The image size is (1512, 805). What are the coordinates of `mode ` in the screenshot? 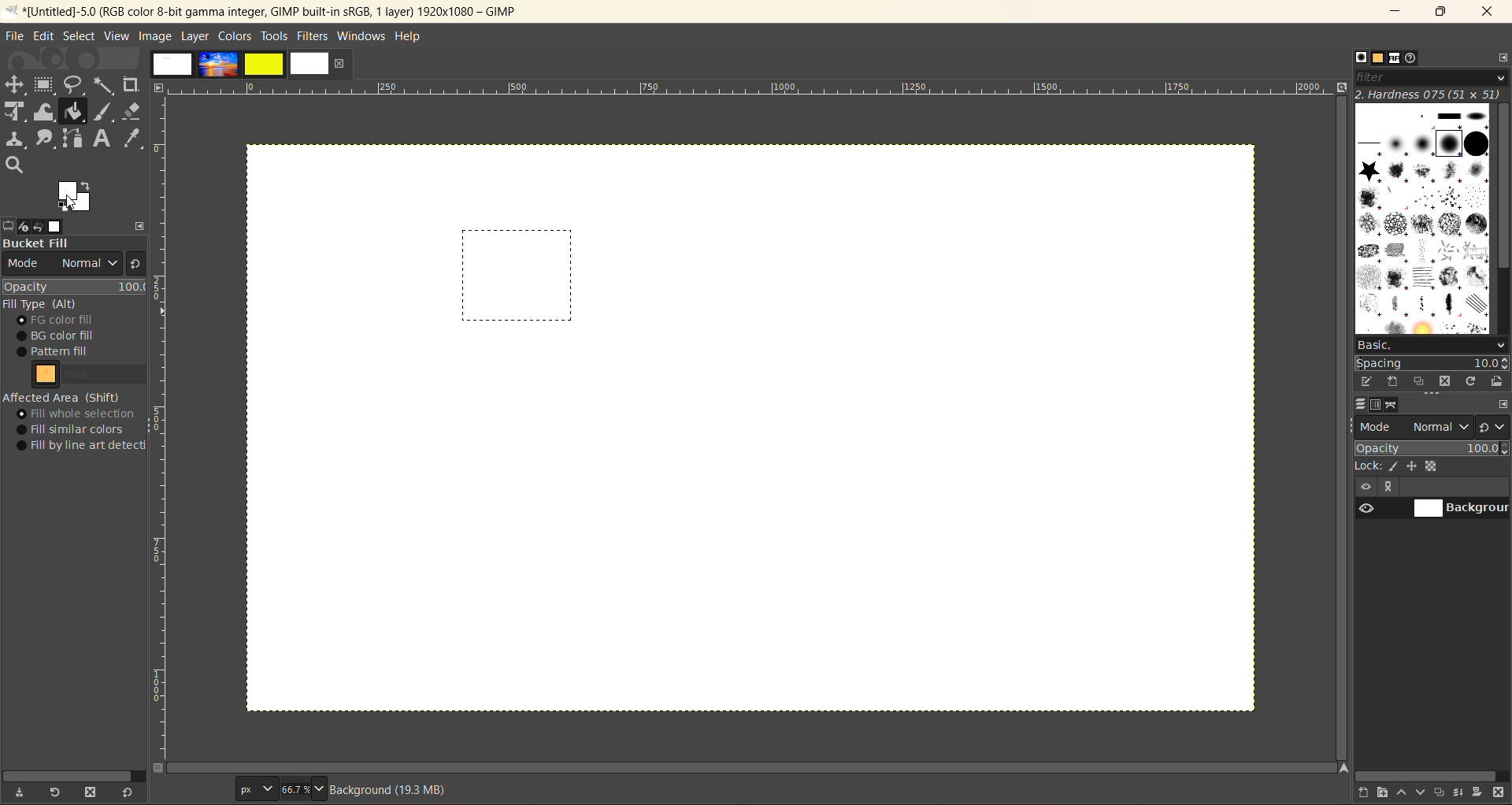 It's located at (61, 266).